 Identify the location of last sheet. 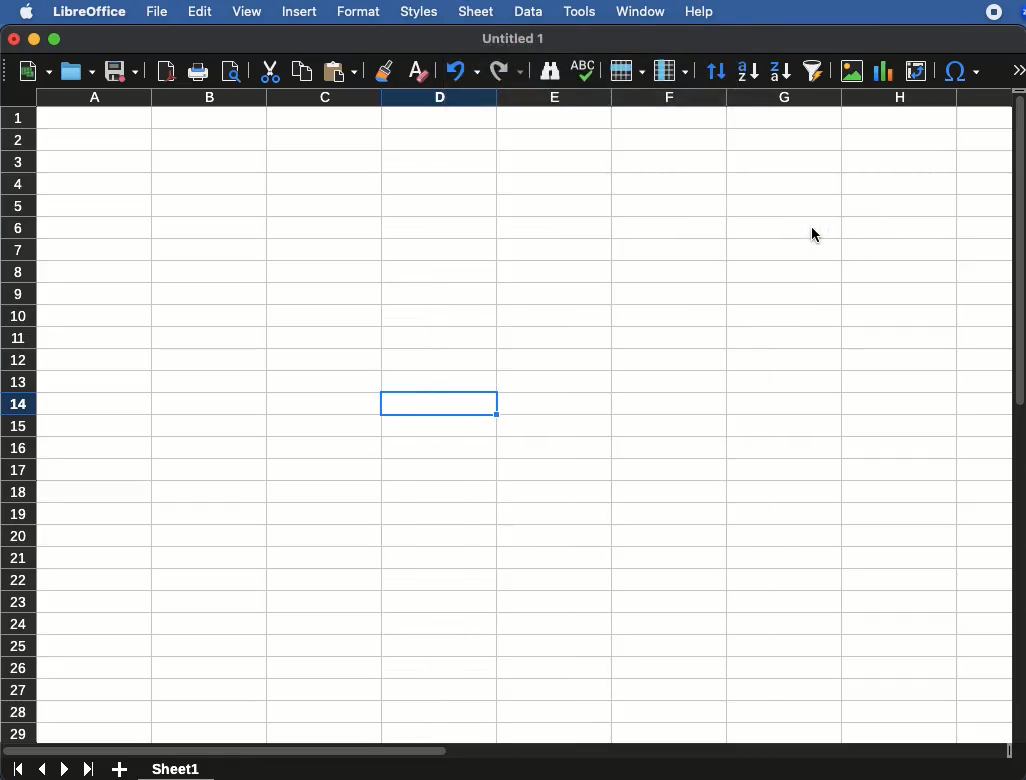
(91, 769).